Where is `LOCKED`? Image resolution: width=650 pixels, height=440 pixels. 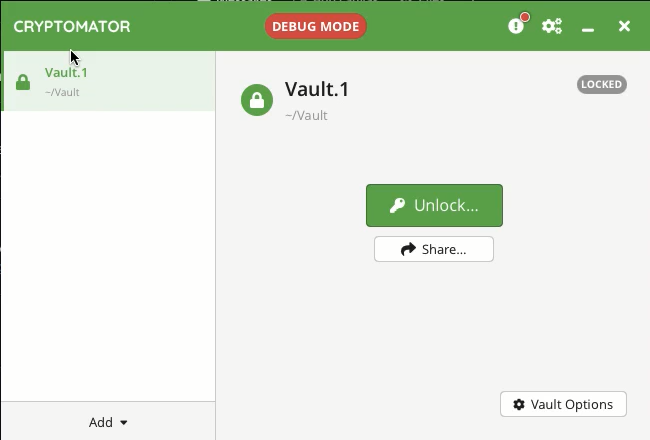 LOCKED is located at coordinates (603, 84).